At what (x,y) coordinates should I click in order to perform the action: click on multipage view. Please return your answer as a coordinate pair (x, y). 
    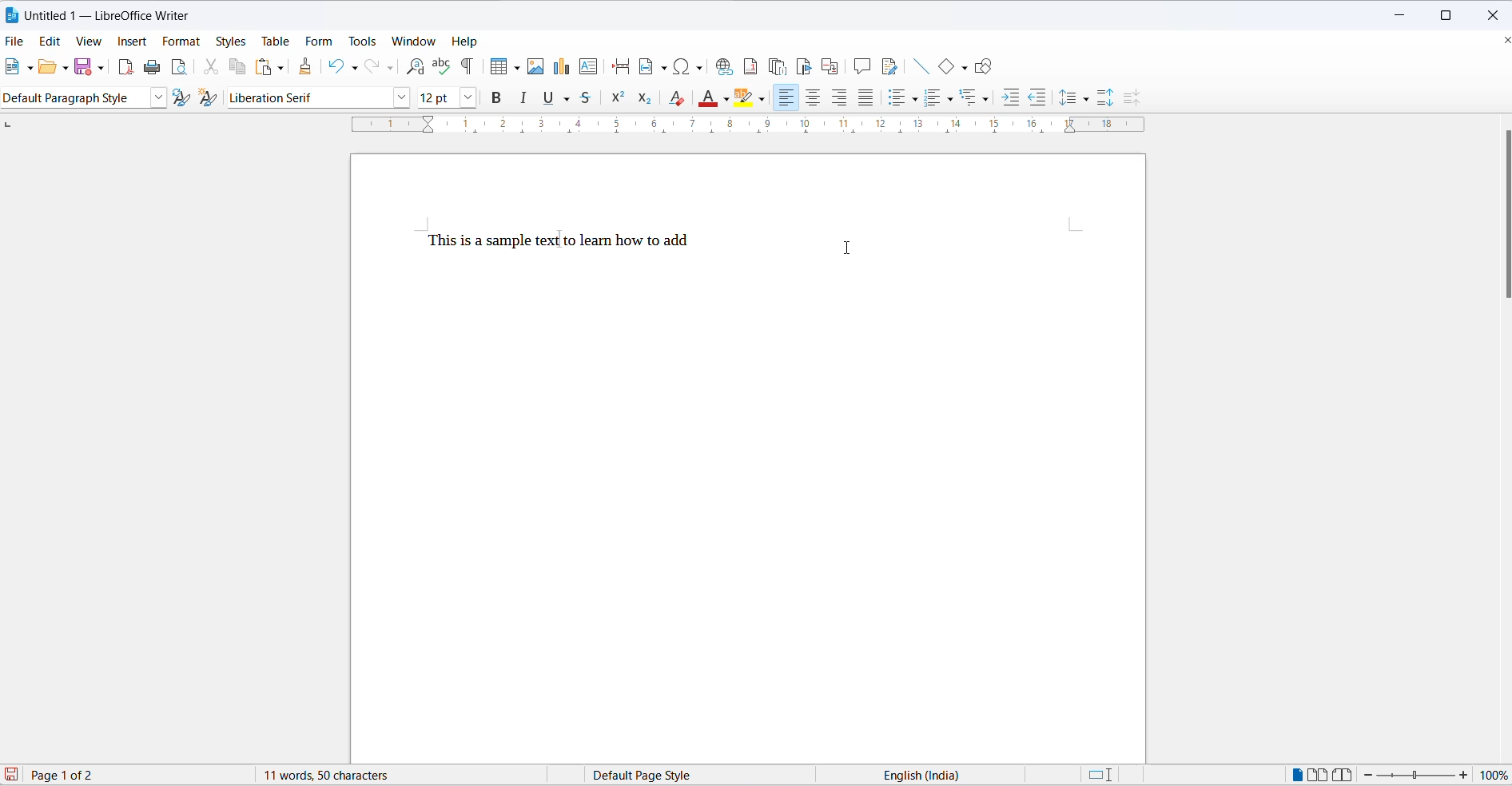
    Looking at the image, I should click on (1318, 774).